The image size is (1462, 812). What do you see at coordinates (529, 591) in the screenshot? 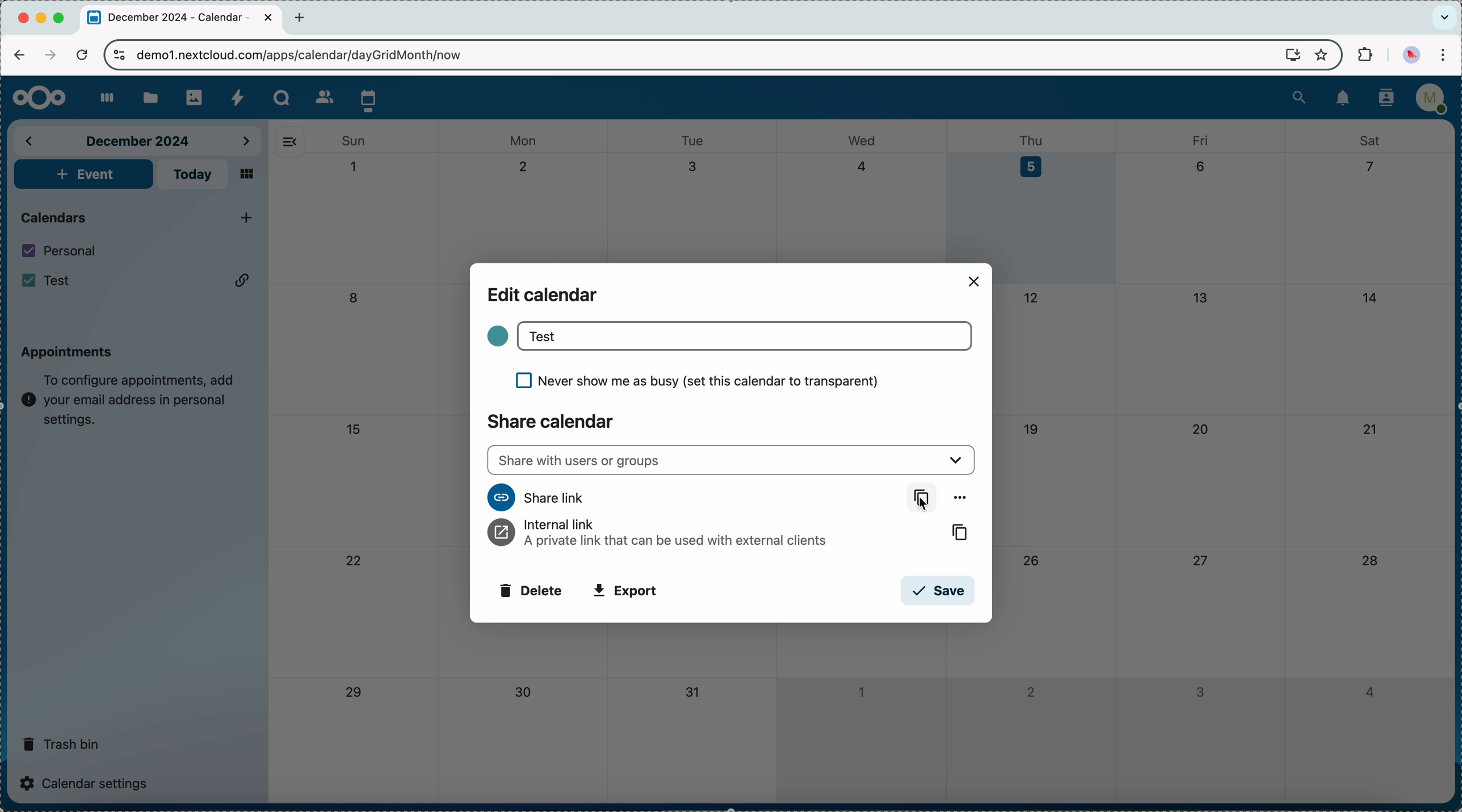
I see `delete` at bounding box center [529, 591].